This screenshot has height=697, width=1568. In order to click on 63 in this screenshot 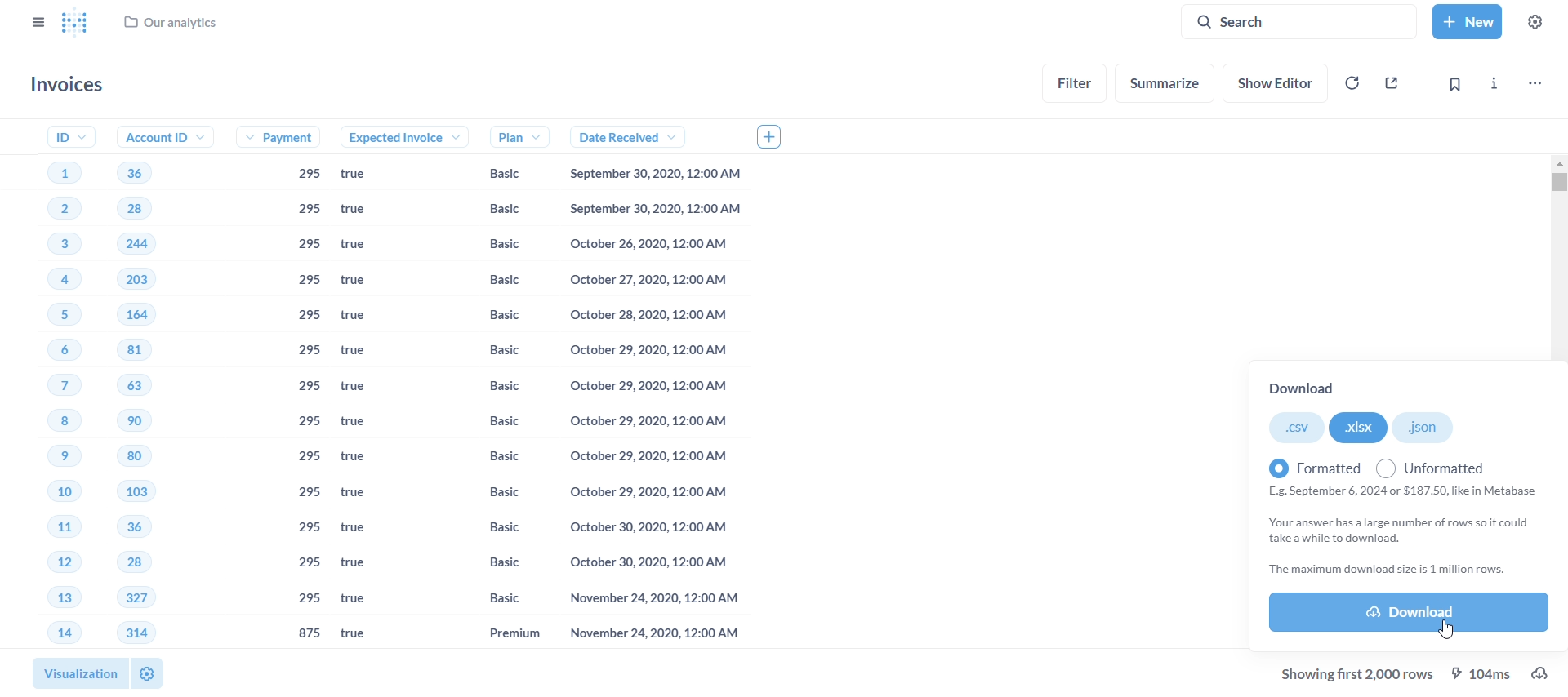, I will do `click(140, 384)`.